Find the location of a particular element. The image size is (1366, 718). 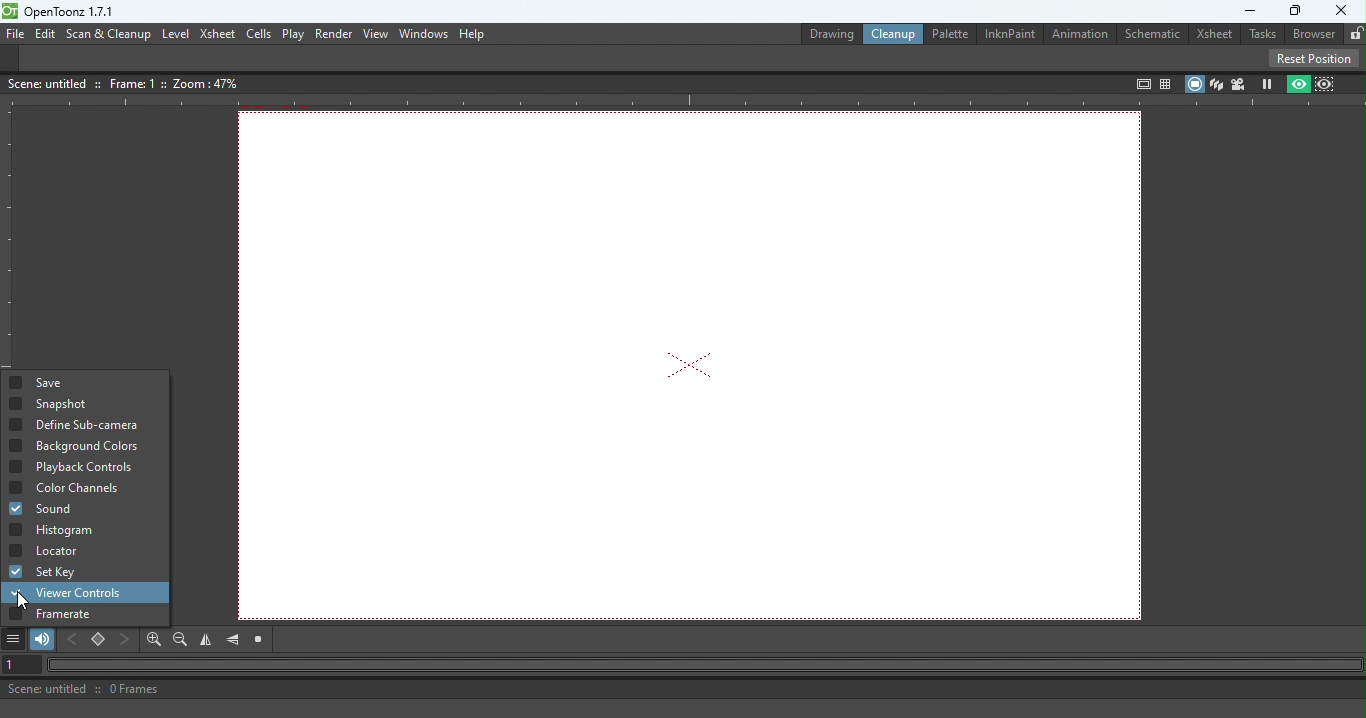

Vertical ruler is located at coordinates (9, 238).